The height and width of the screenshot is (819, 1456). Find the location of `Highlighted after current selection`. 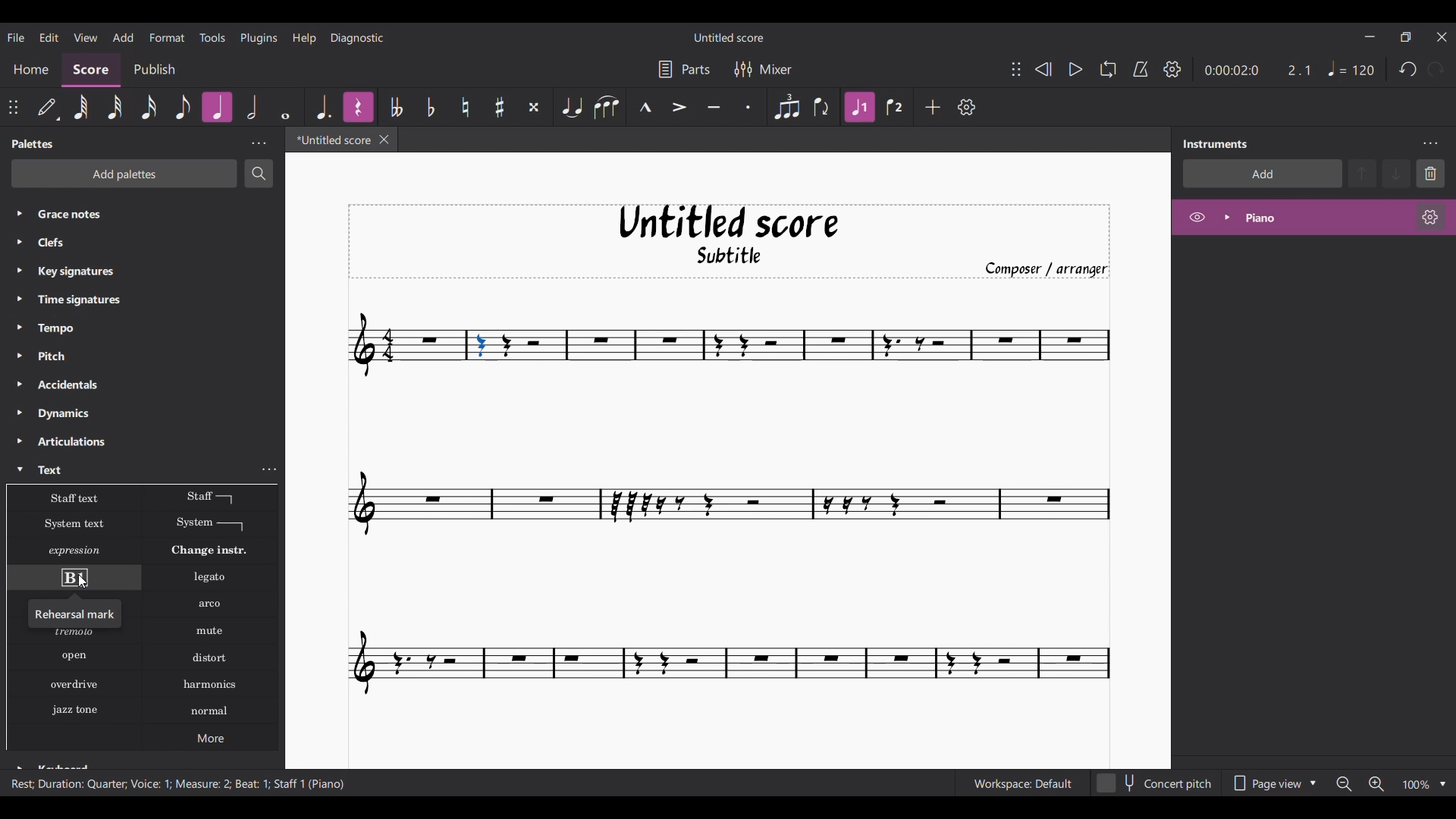

Highlighted after current selection is located at coordinates (218, 107).